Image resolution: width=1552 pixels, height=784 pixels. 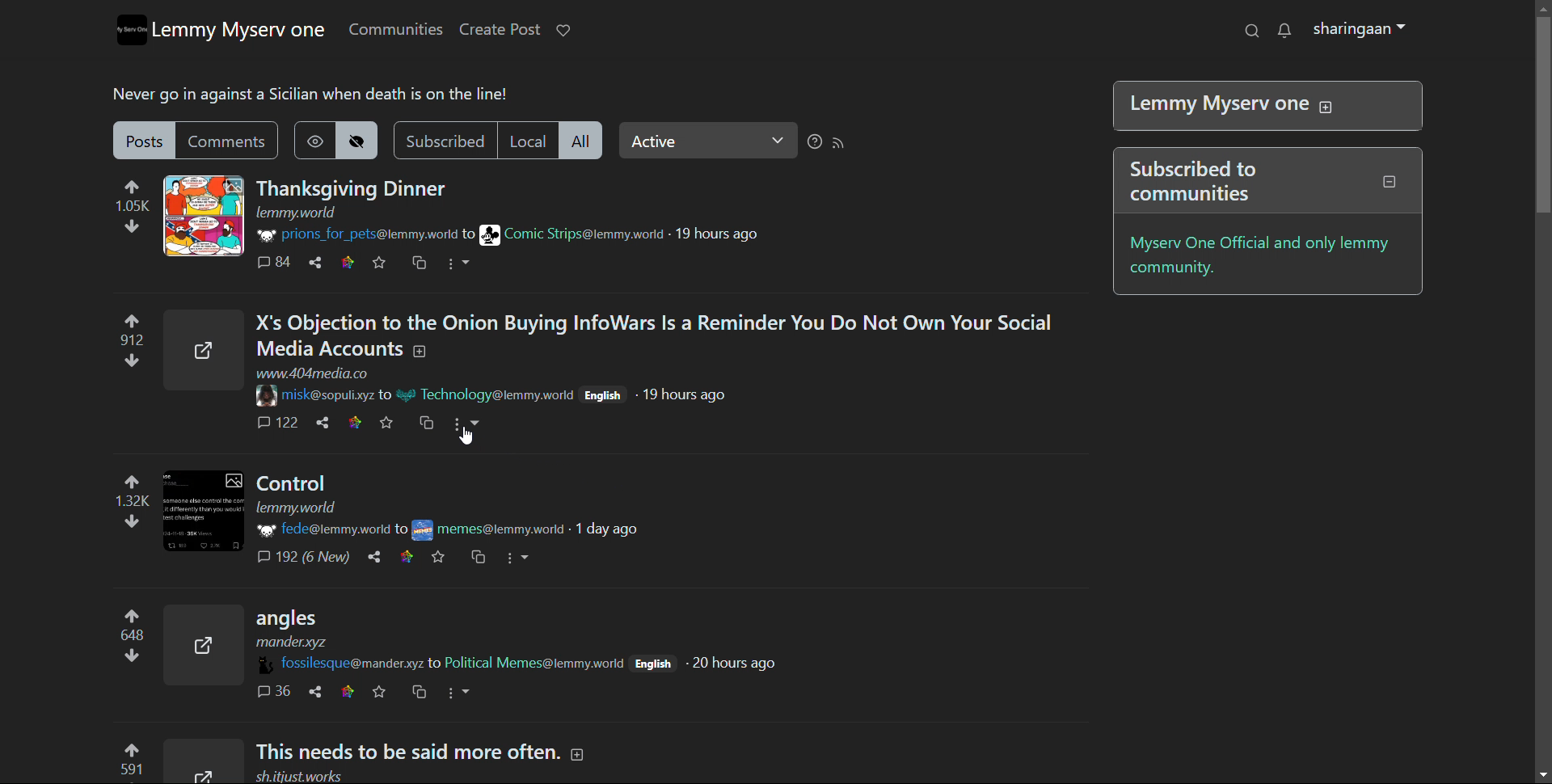 What do you see at coordinates (570, 234) in the screenshot?
I see `community` at bounding box center [570, 234].